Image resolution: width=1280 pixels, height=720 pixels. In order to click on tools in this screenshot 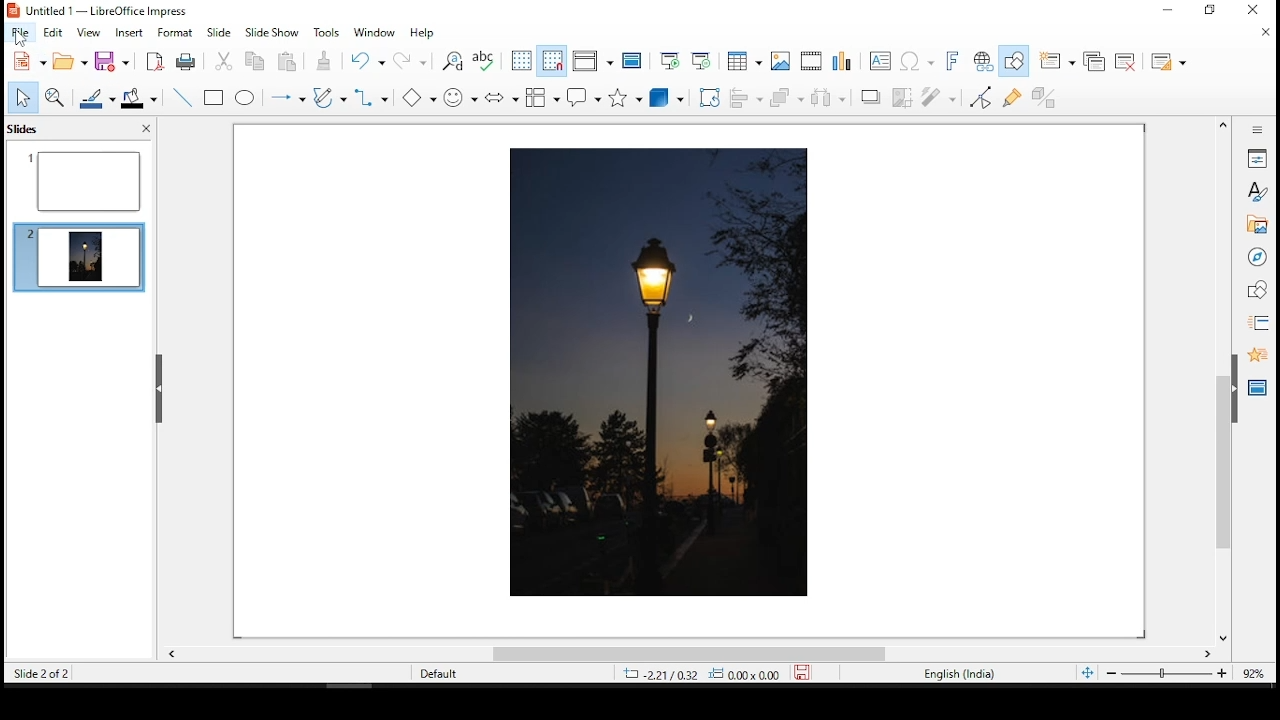, I will do `click(331, 36)`.